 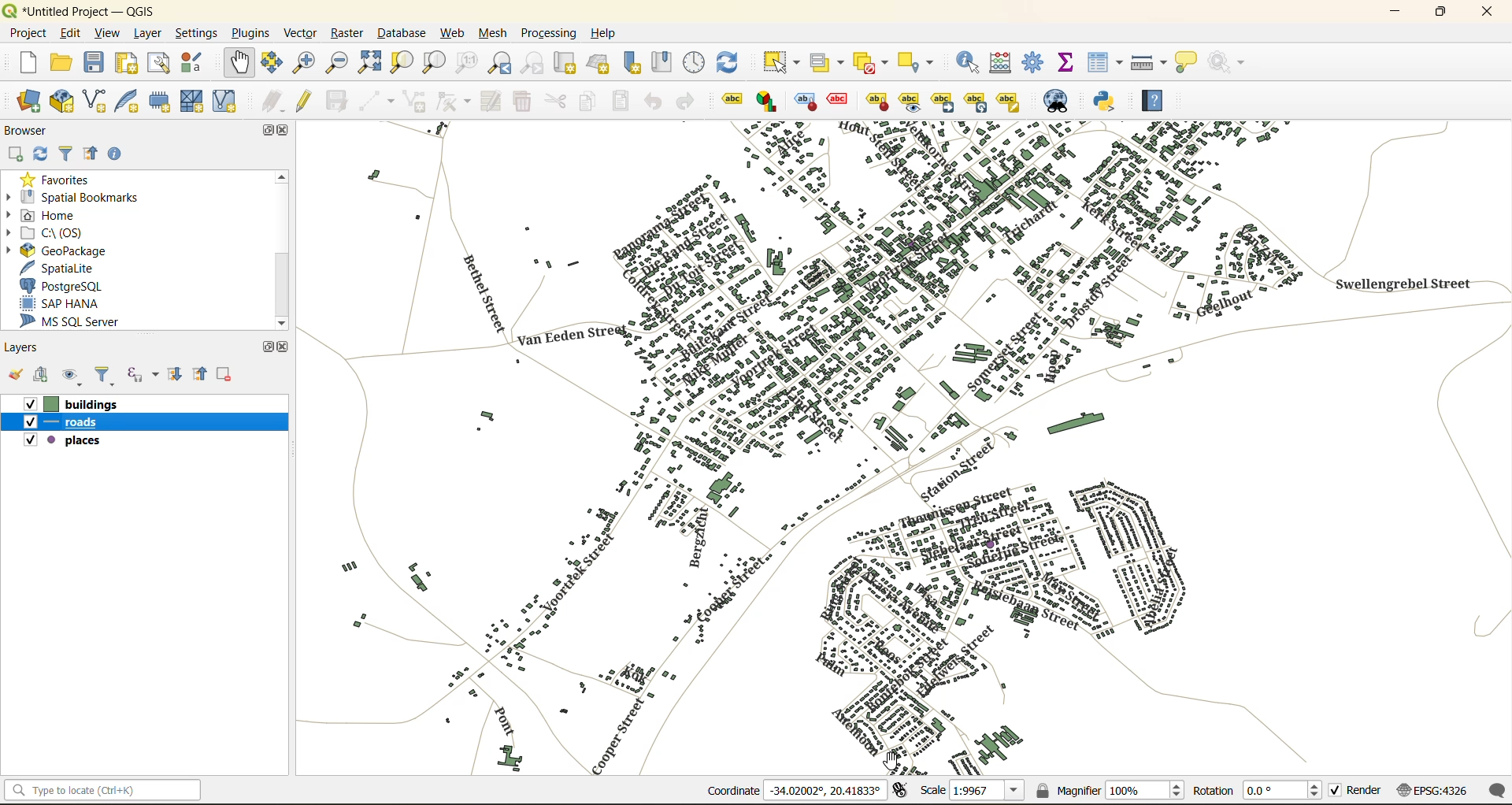 I want to click on zoom next, so click(x=535, y=61).